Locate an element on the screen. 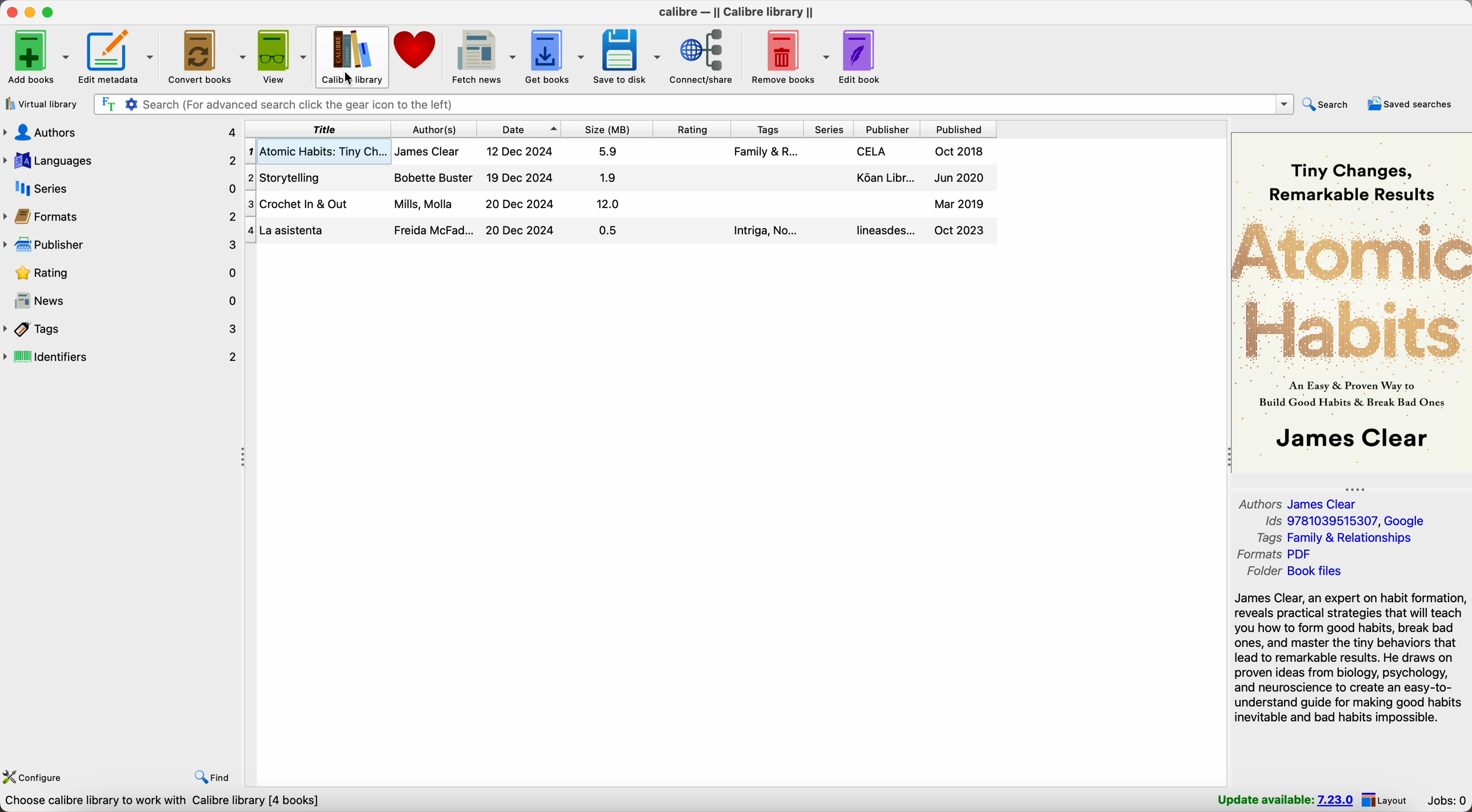 The height and width of the screenshot is (812, 1472). add books is located at coordinates (39, 57).